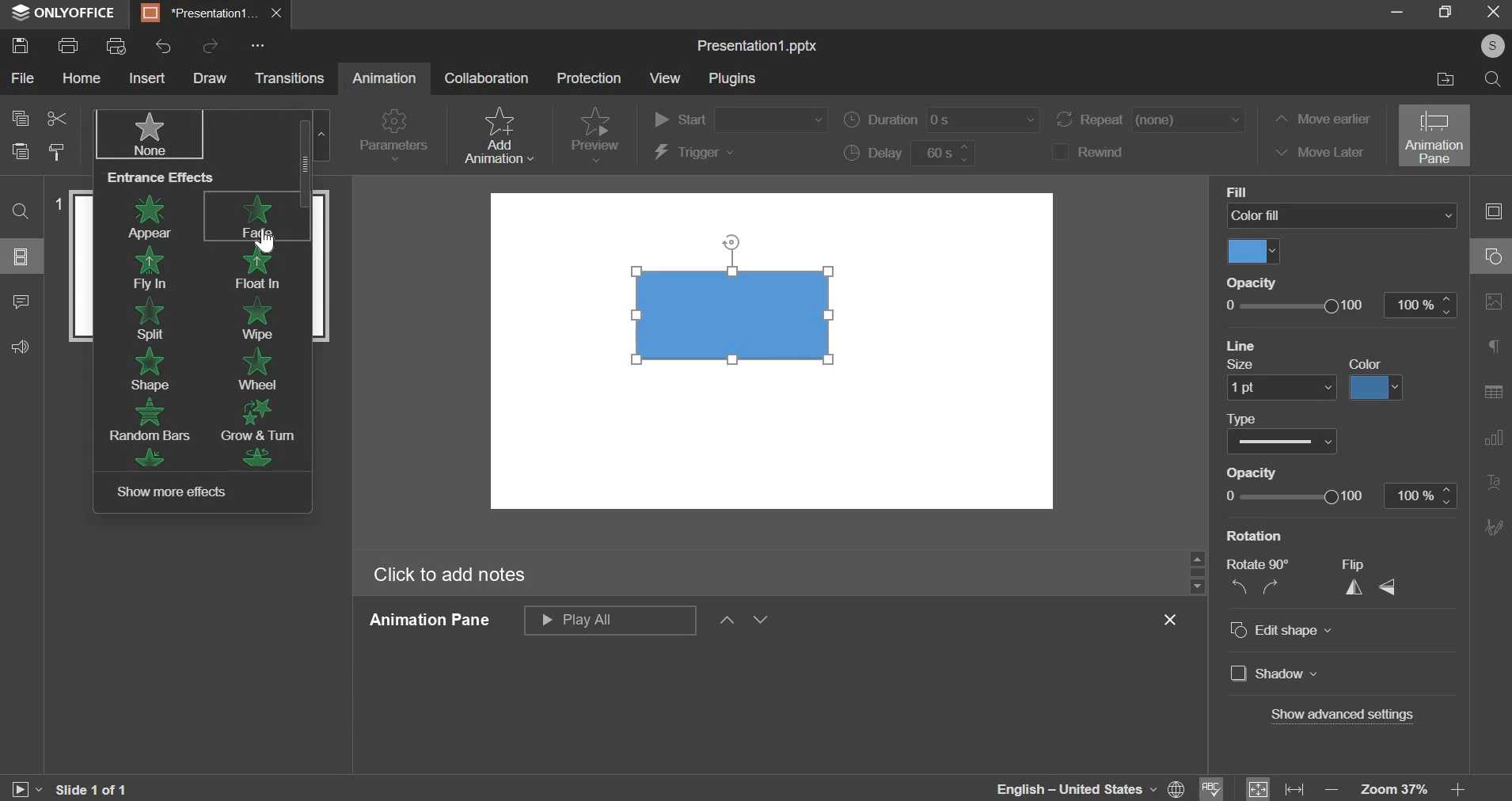  What do you see at coordinates (1441, 82) in the screenshot?
I see `open file location` at bounding box center [1441, 82].